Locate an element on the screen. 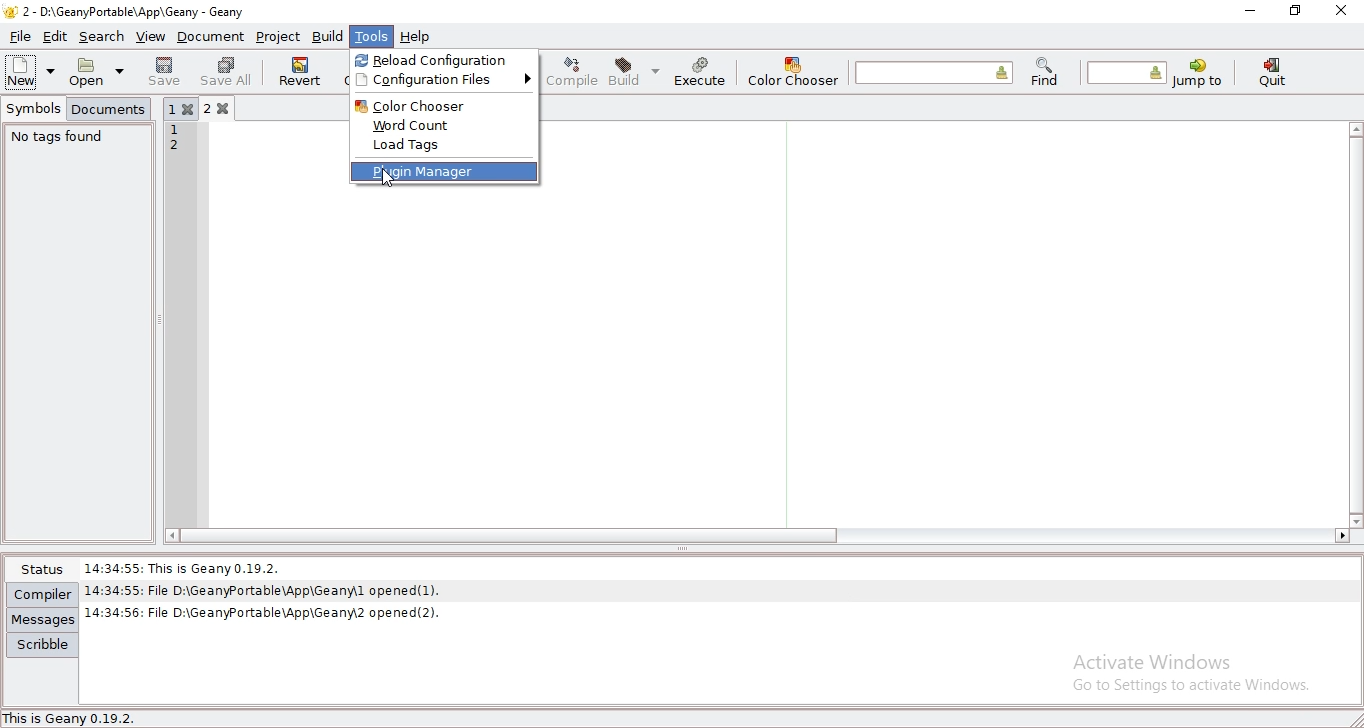 The image size is (1364, 728). scribble is located at coordinates (42, 645).